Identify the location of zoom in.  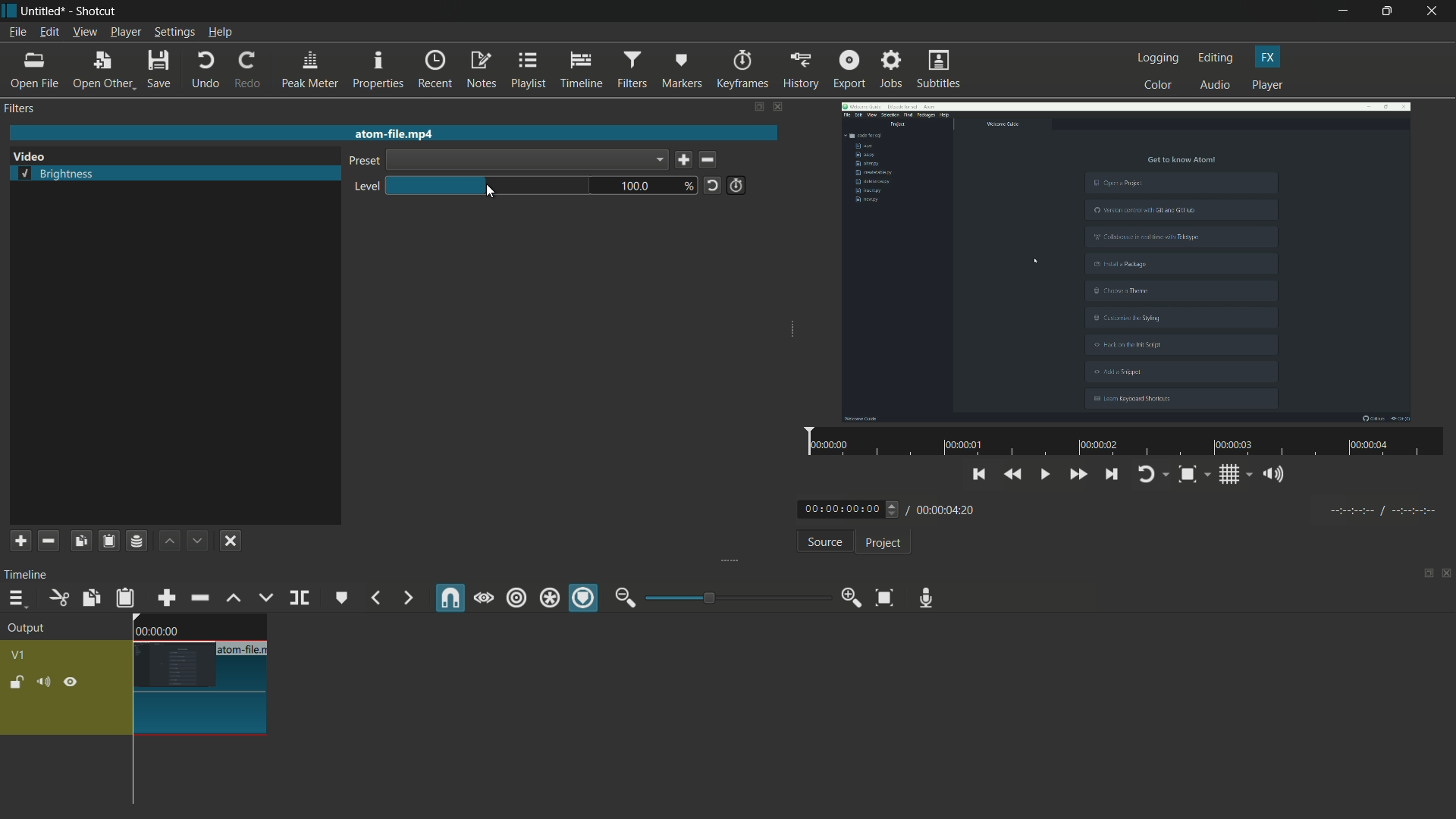
(848, 598).